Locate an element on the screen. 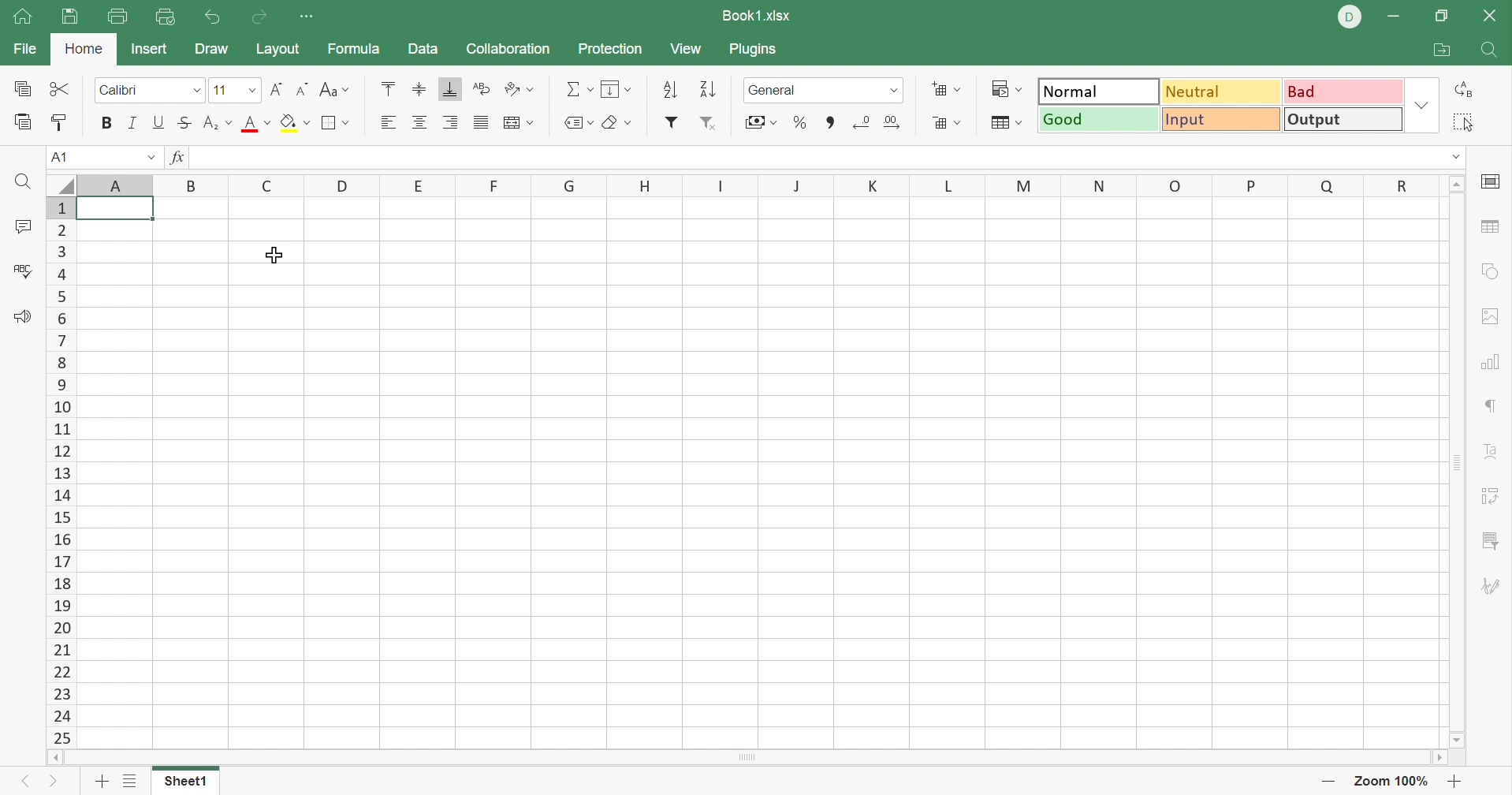 This screenshot has height=795, width=1512. Normal is located at coordinates (1097, 90).